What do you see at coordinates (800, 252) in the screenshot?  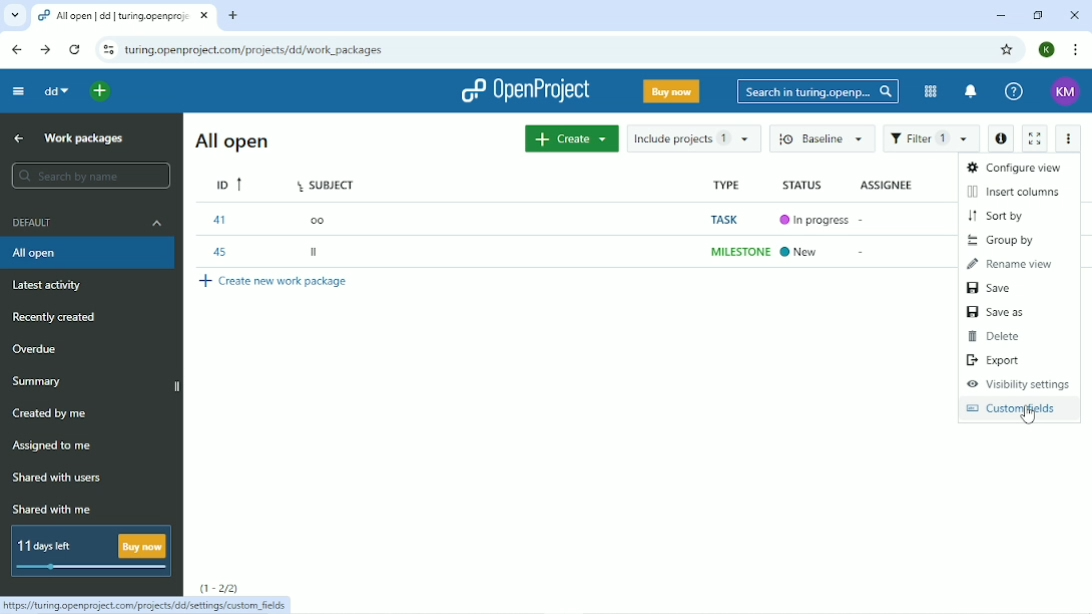 I see `New` at bounding box center [800, 252].